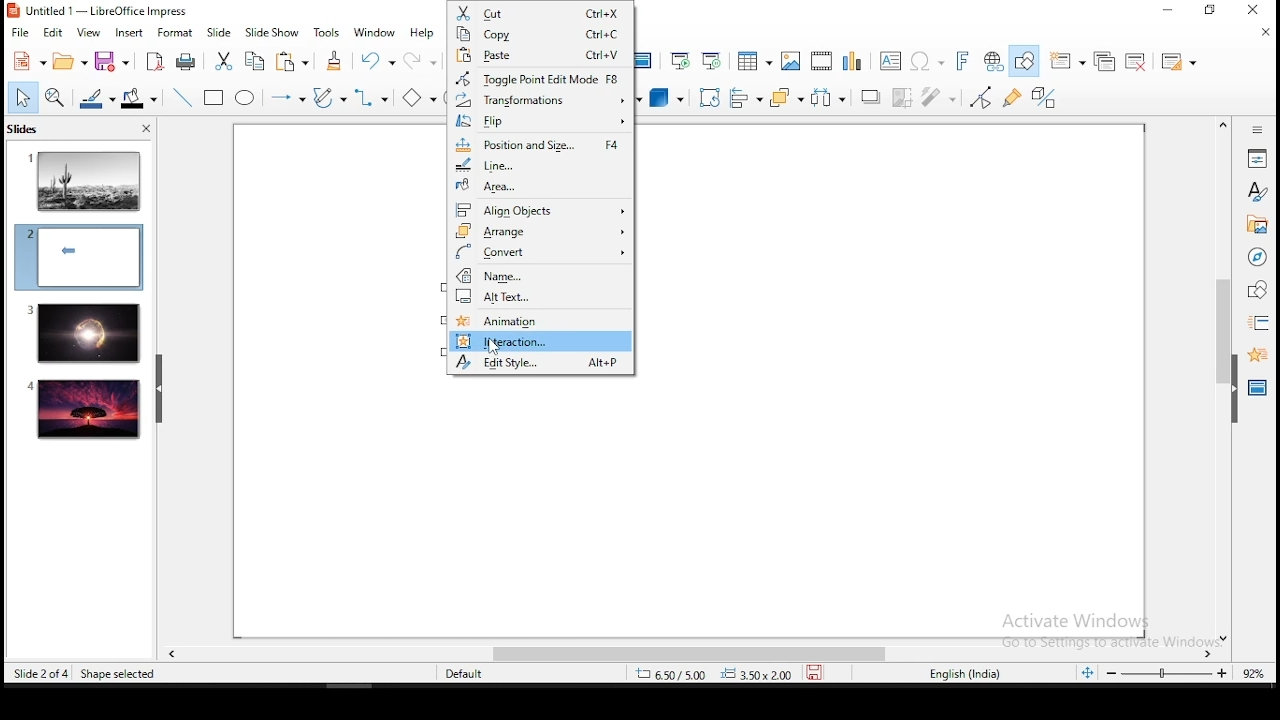 The height and width of the screenshot is (720, 1280). I want to click on zoom level, so click(1254, 672).